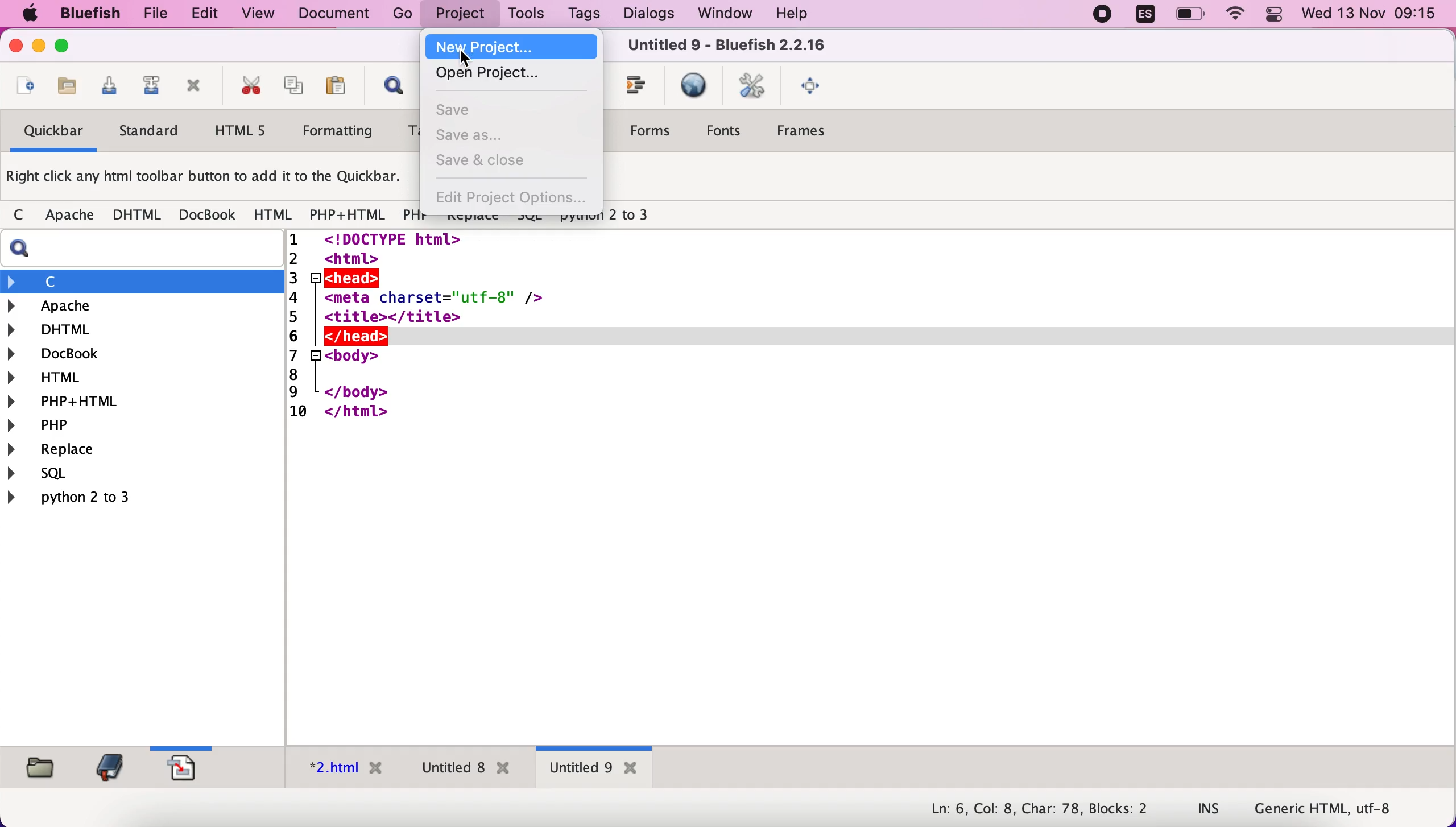 The height and width of the screenshot is (827, 1456). Describe the element at coordinates (340, 133) in the screenshot. I see `formatting` at that location.